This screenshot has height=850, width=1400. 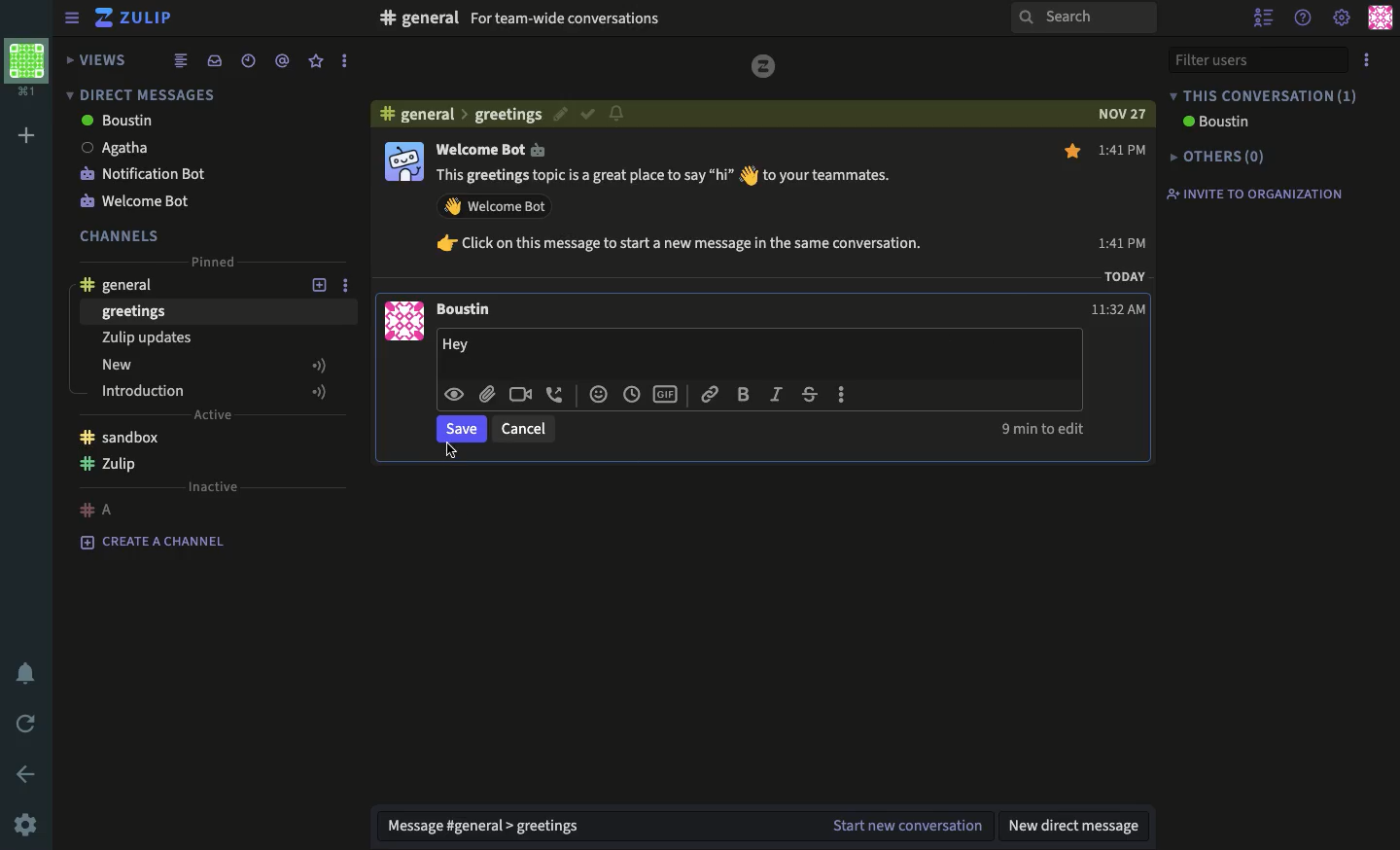 What do you see at coordinates (212, 416) in the screenshot?
I see `active` at bounding box center [212, 416].